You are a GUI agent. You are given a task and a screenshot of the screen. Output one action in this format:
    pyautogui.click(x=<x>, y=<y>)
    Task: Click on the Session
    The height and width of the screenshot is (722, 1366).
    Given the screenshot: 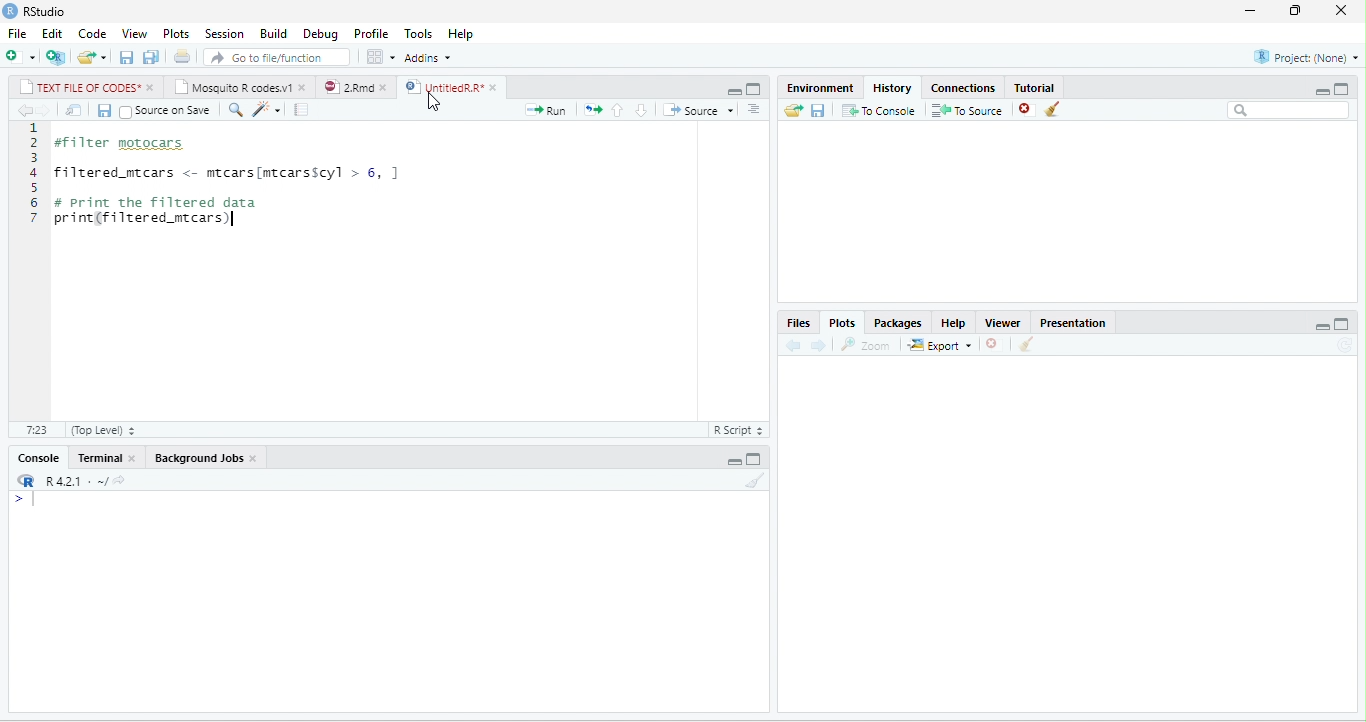 What is the action you would take?
    pyautogui.click(x=225, y=33)
    